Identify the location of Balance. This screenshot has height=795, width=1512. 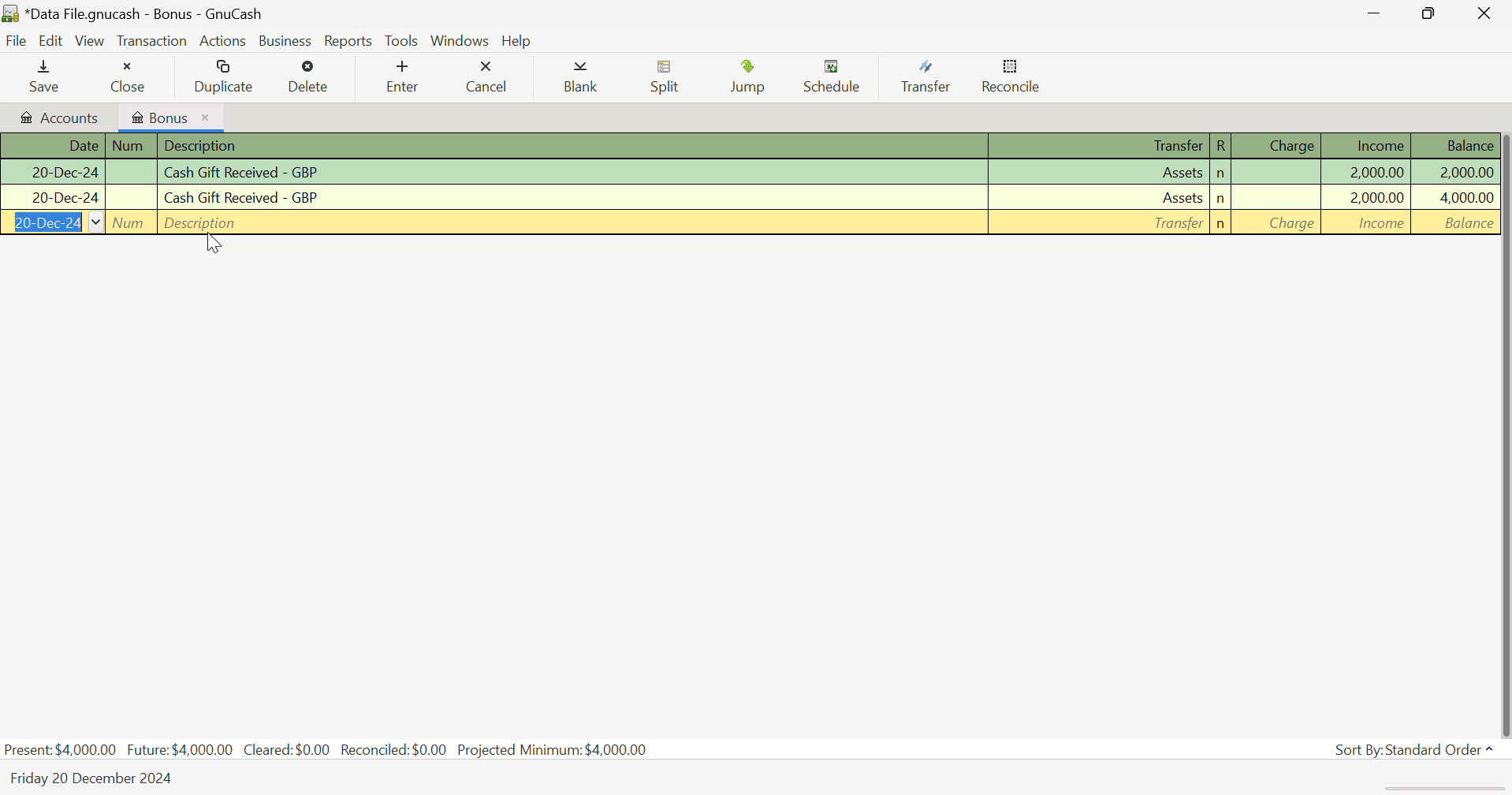
(1455, 171).